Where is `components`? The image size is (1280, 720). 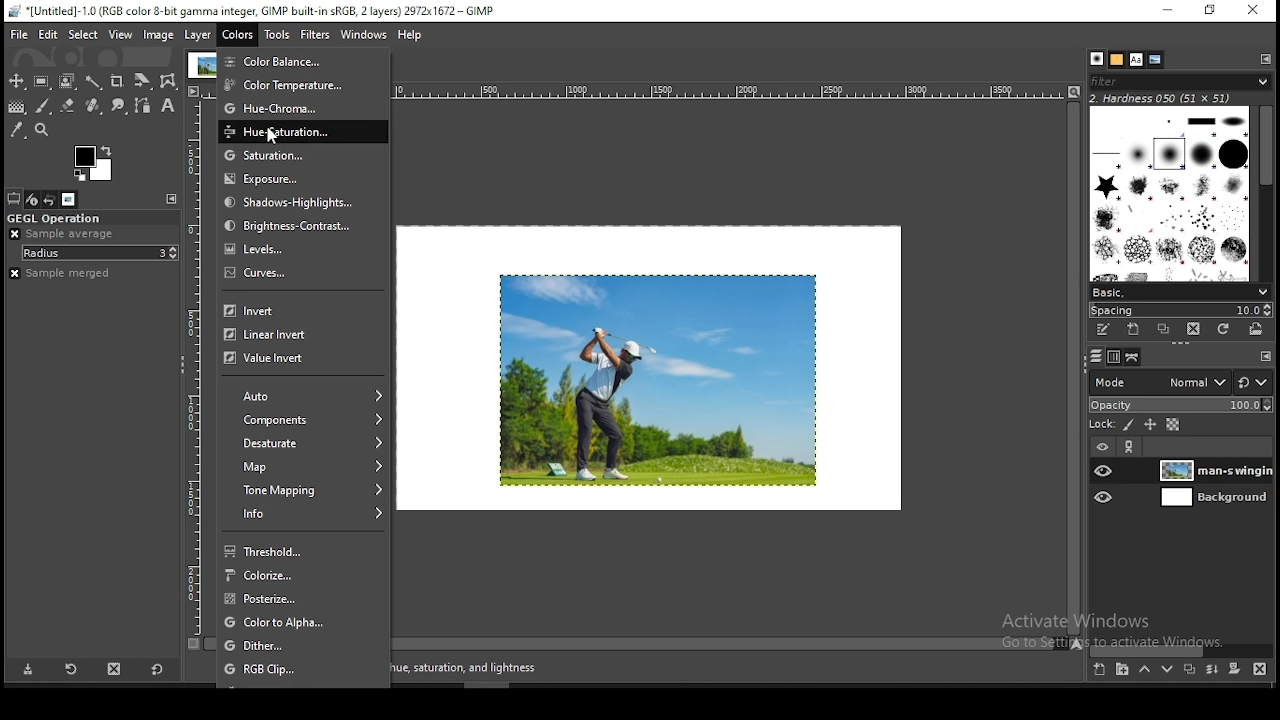 components is located at coordinates (306, 421).